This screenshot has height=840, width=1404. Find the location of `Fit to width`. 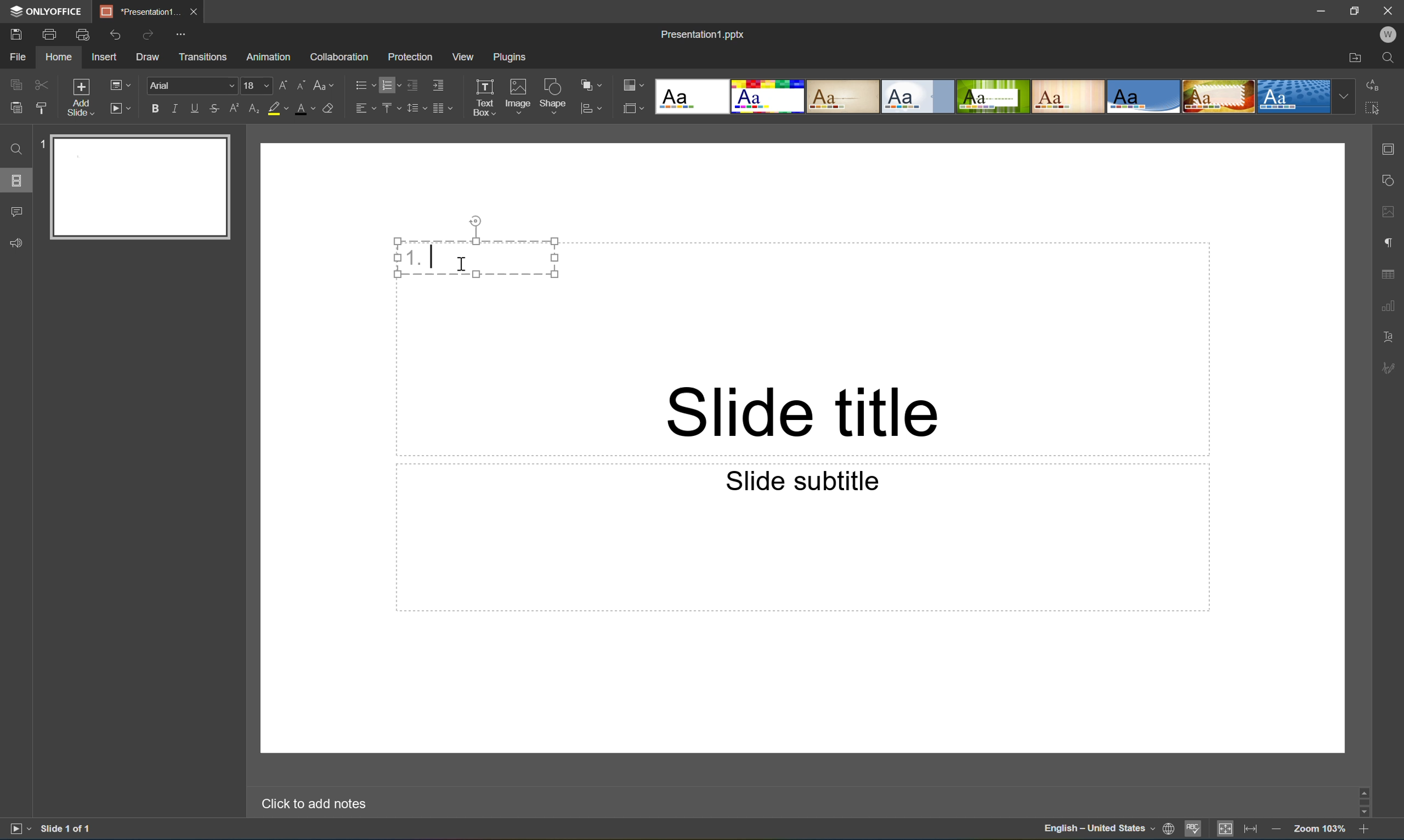

Fit to width is located at coordinates (1251, 830).